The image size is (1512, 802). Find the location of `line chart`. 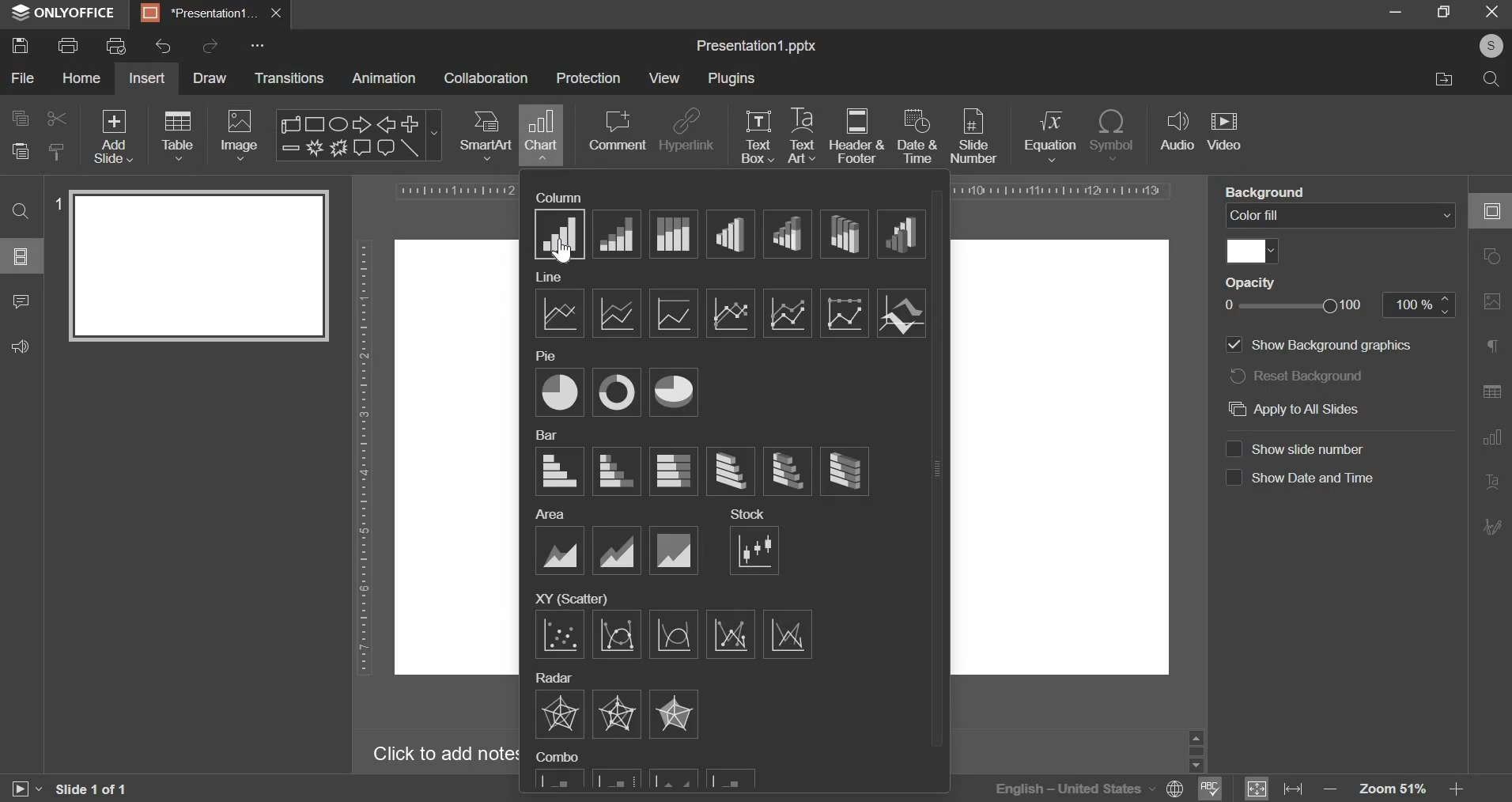

line chart is located at coordinates (731, 312).